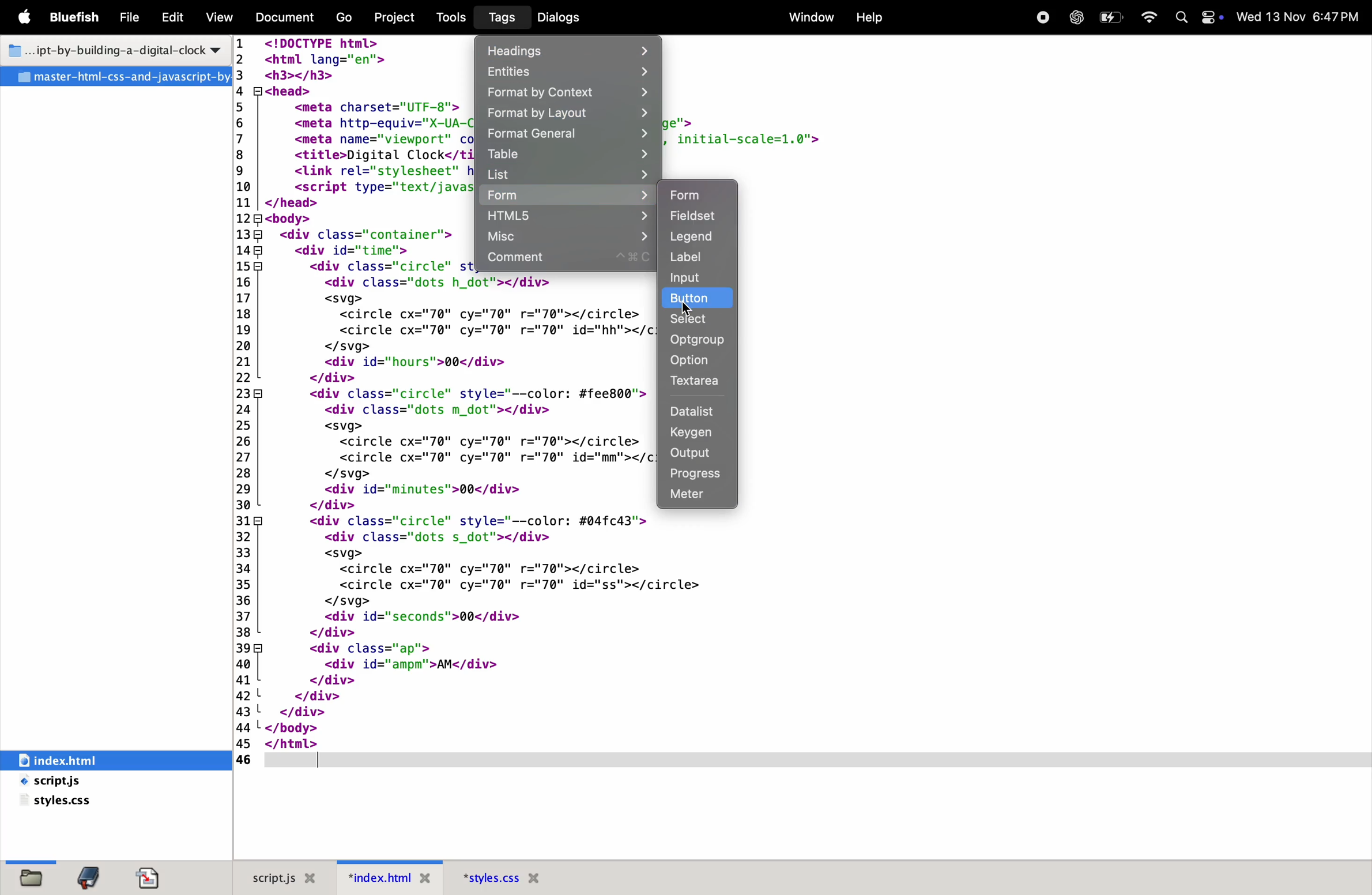 The height and width of the screenshot is (895, 1372). Describe the element at coordinates (699, 383) in the screenshot. I see `text area` at that location.